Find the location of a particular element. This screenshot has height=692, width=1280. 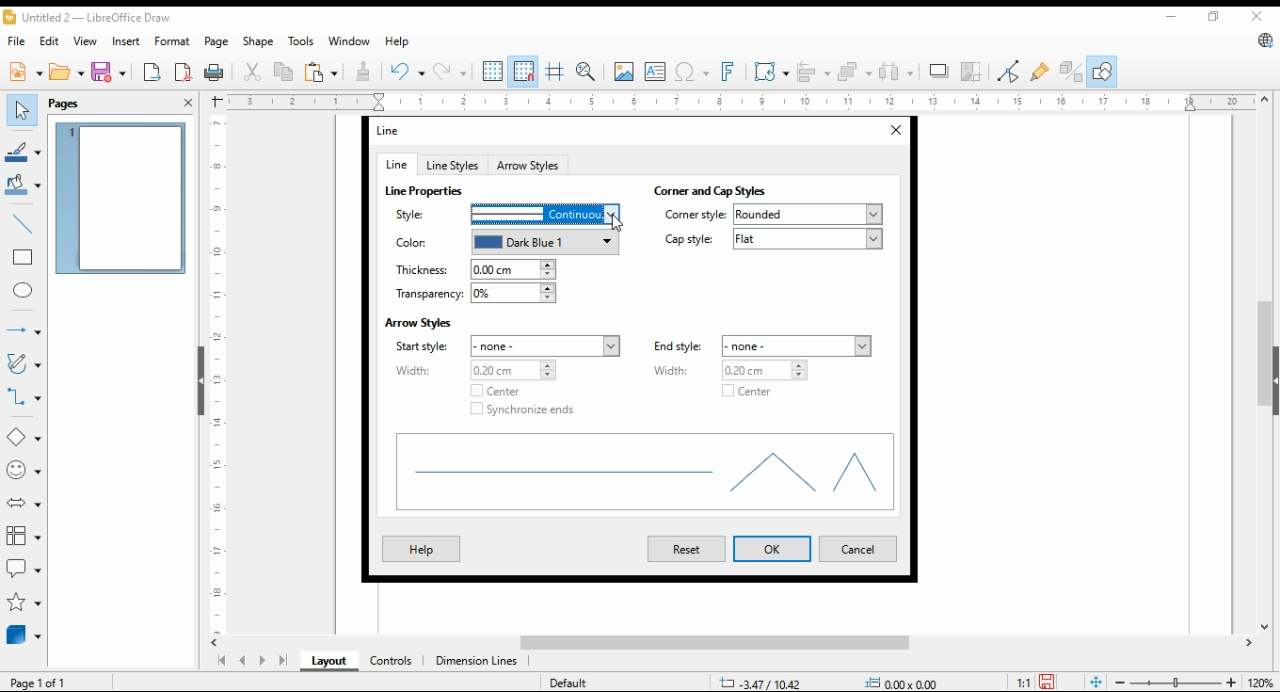

close window is located at coordinates (894, 131).